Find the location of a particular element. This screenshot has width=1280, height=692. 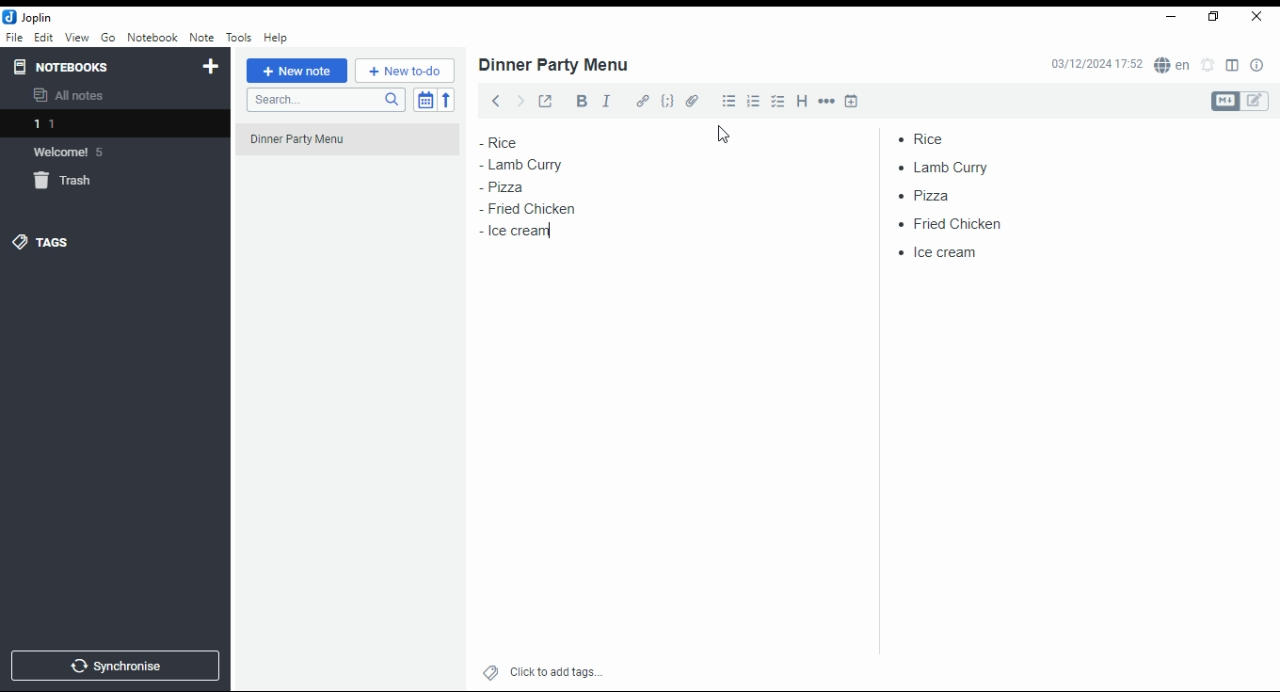

rice is located at coordinates (515, 142).